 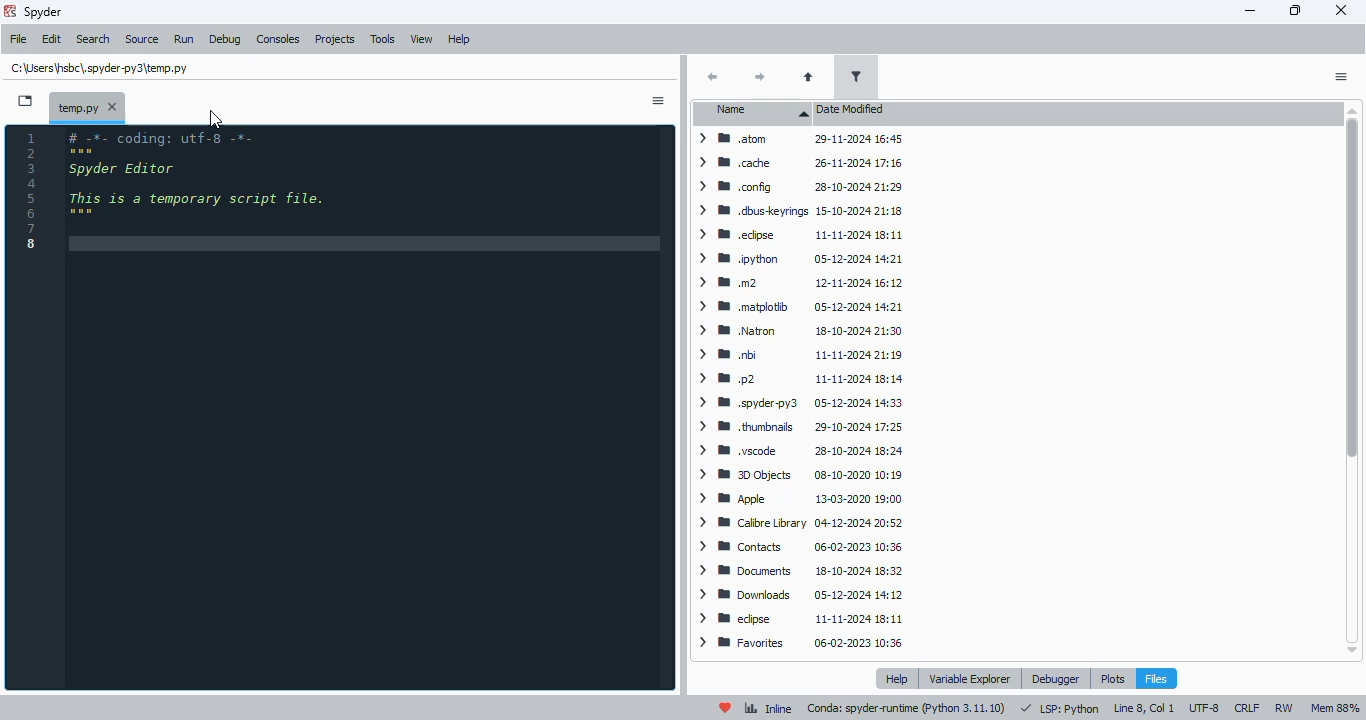 What do you see at coordinates (1058, 679) in the screenshot?
I see `debugger` at bounding box center [1058, 679].